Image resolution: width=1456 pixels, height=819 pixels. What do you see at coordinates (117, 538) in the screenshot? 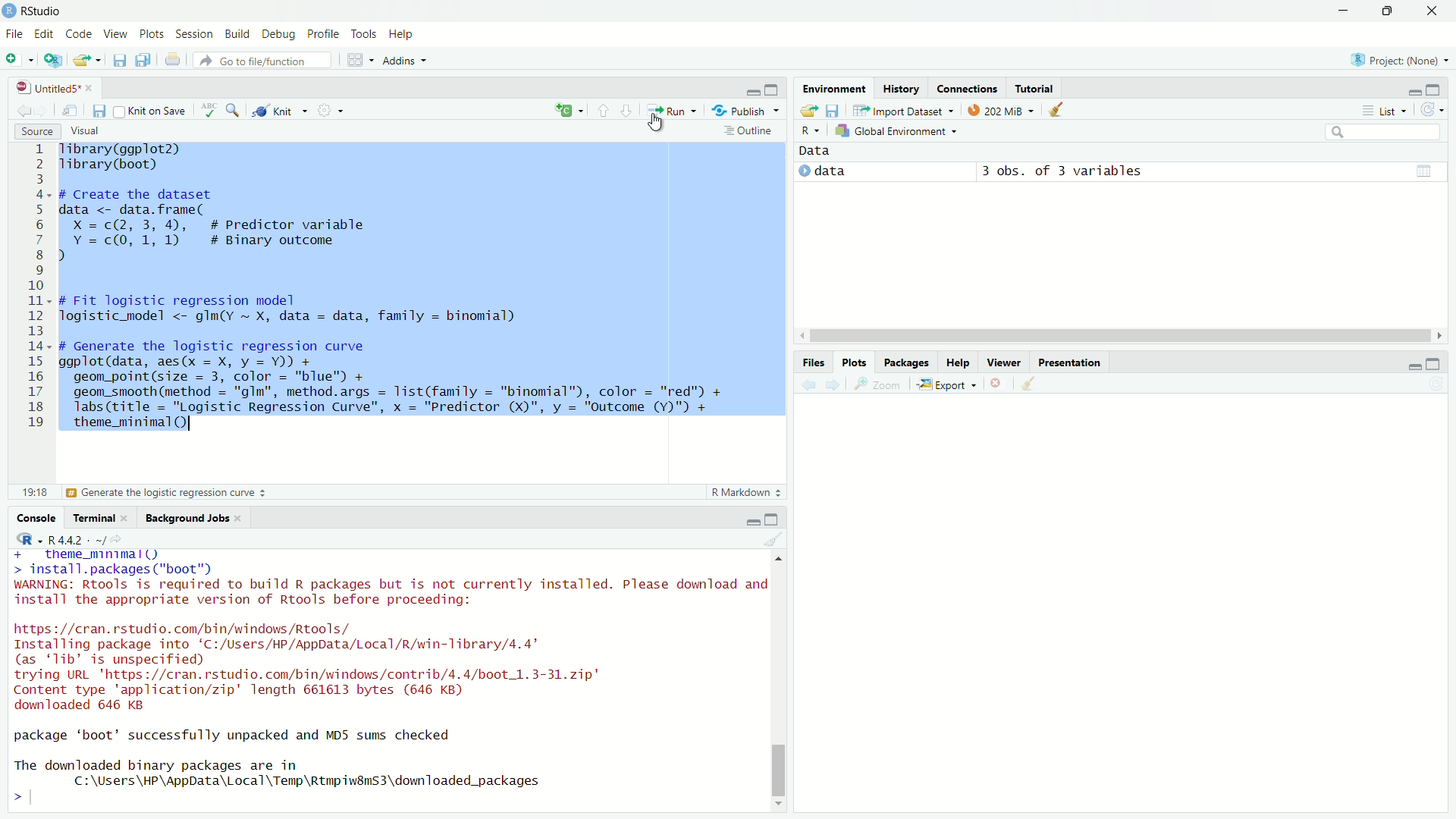
I see `View the current working current directory` at bounding box center [117, 538].